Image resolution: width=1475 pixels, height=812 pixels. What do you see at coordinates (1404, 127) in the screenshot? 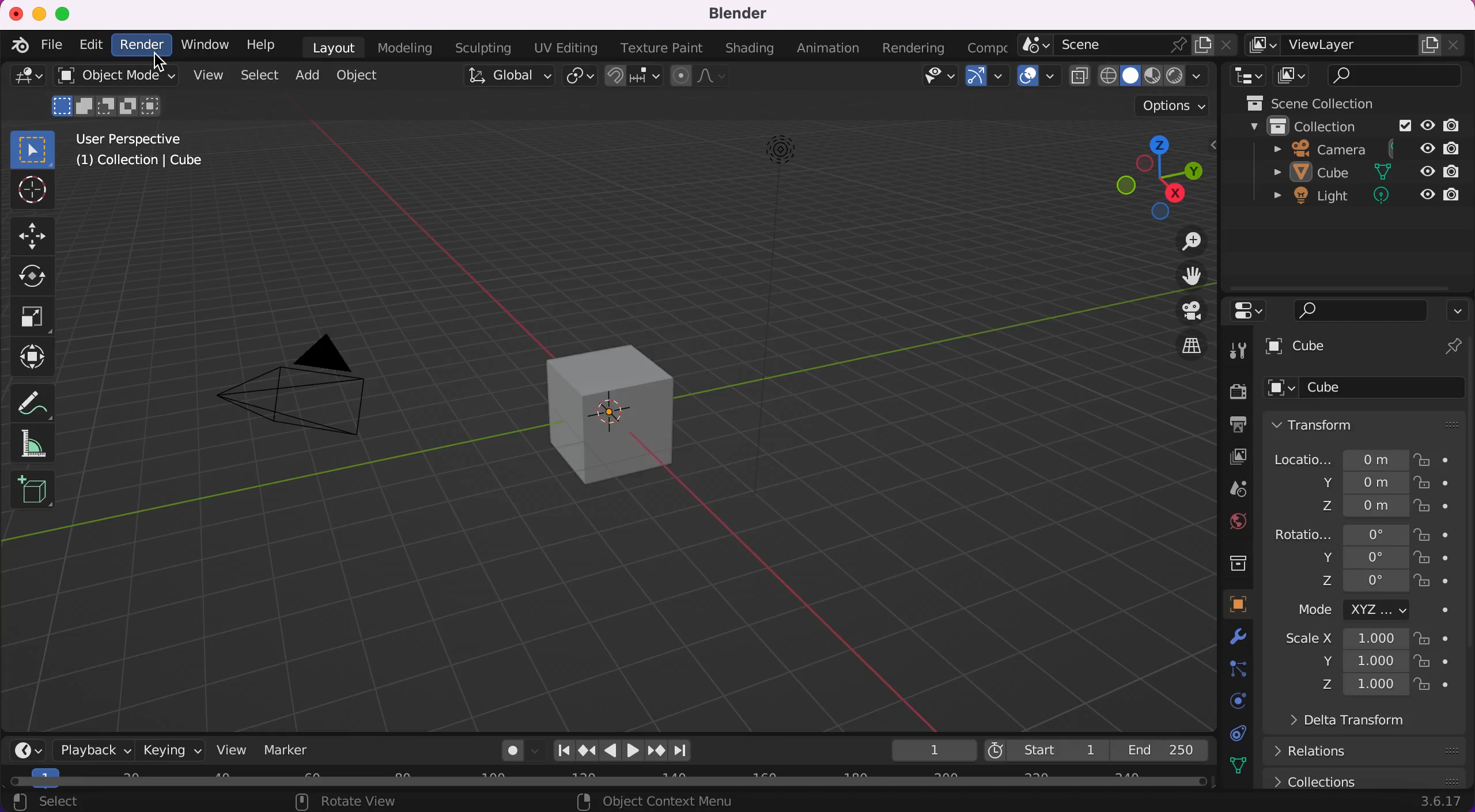
I see `Exclude from view layer` at bounding box center [1404, 127].